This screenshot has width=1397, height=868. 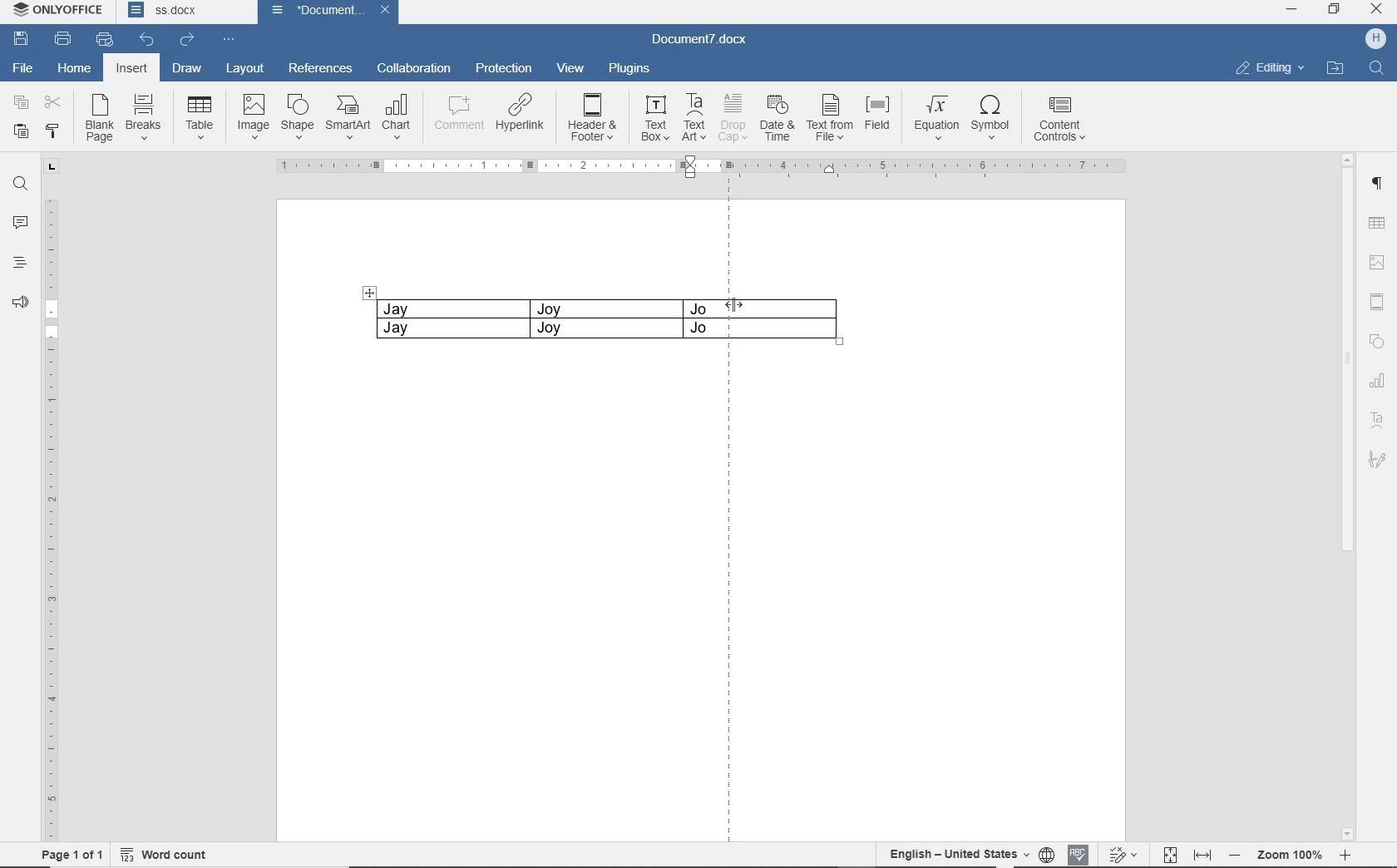 What do you see at coordinates (182, 12) in the screenshot?
I see `DOCUMENT NAME` at bounding box center [182, 12].